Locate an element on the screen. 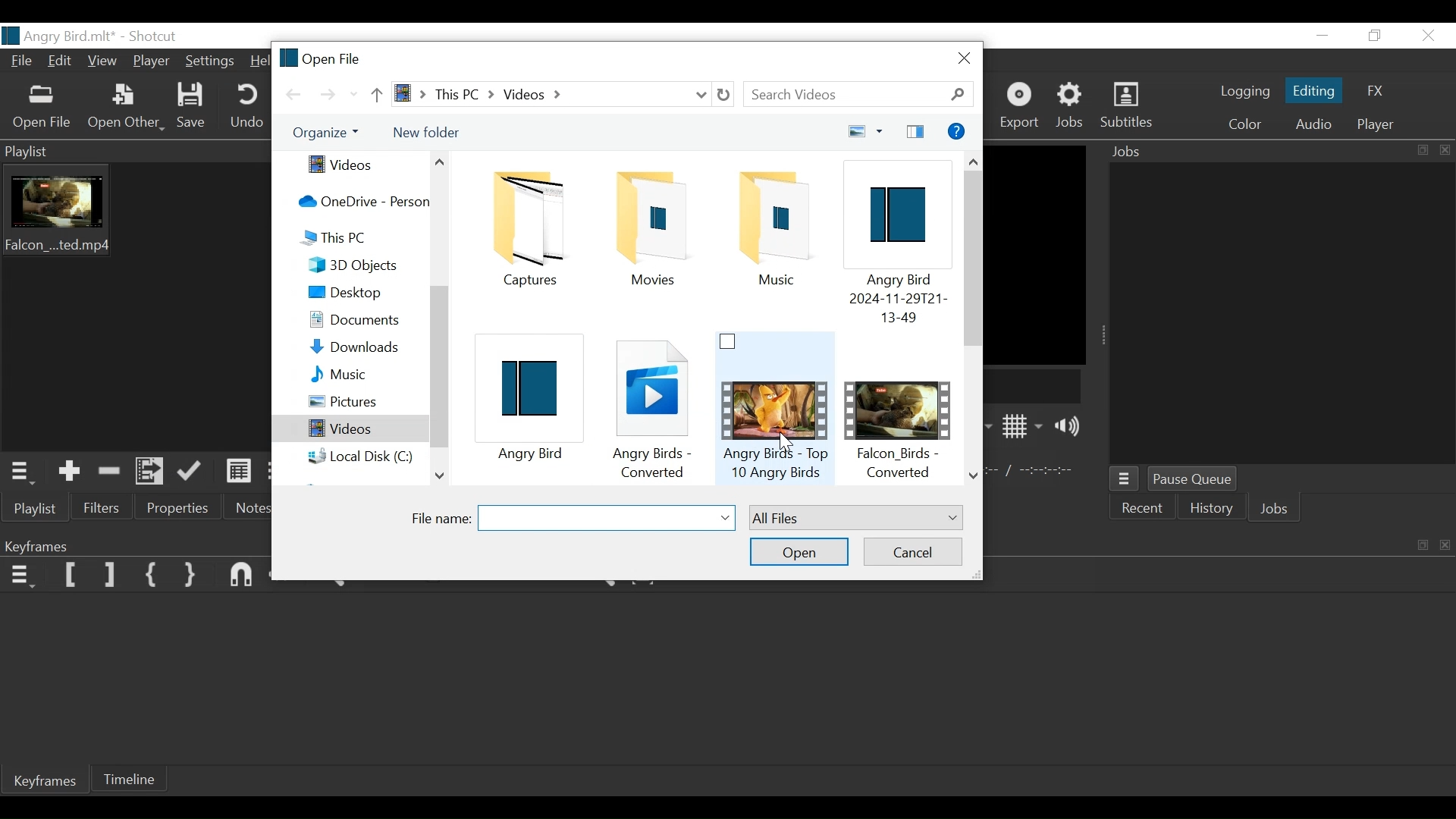 Image resolution: width=1456 pixels, height=819 pixels. Pictures is located at coordinates (361, 402).